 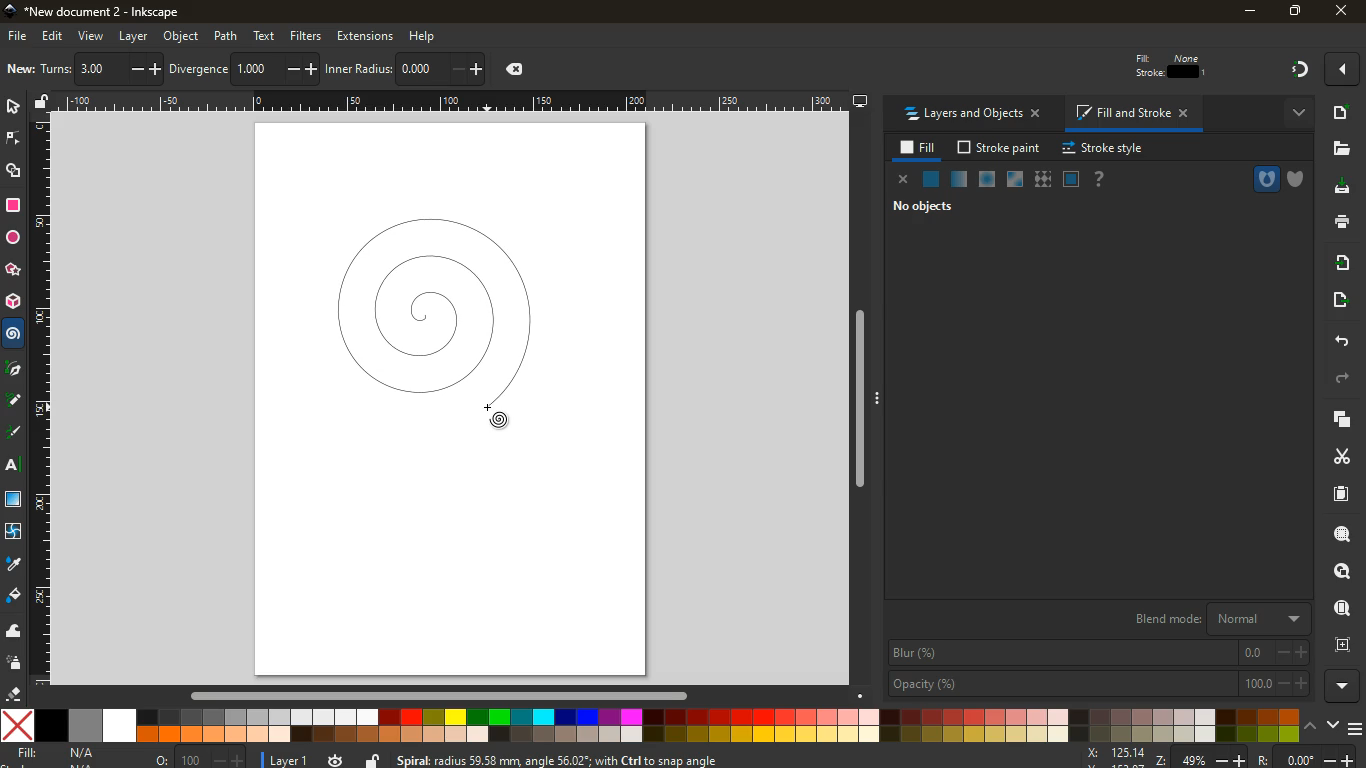 I want to click on fill, so click(x=919, y=148).